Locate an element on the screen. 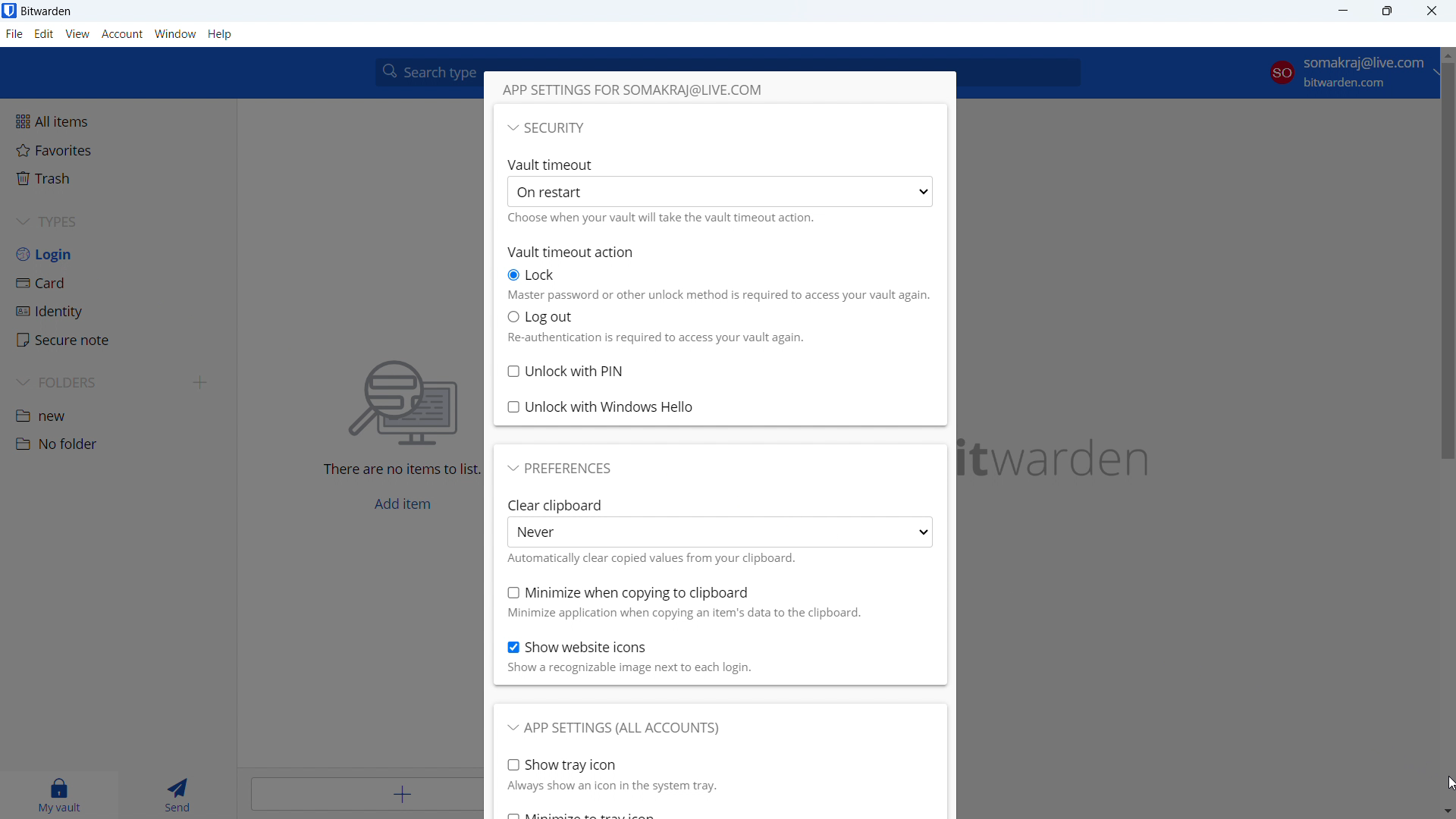 This screenshot has height=819, width=1456. title is located at coordinates (47, 11).